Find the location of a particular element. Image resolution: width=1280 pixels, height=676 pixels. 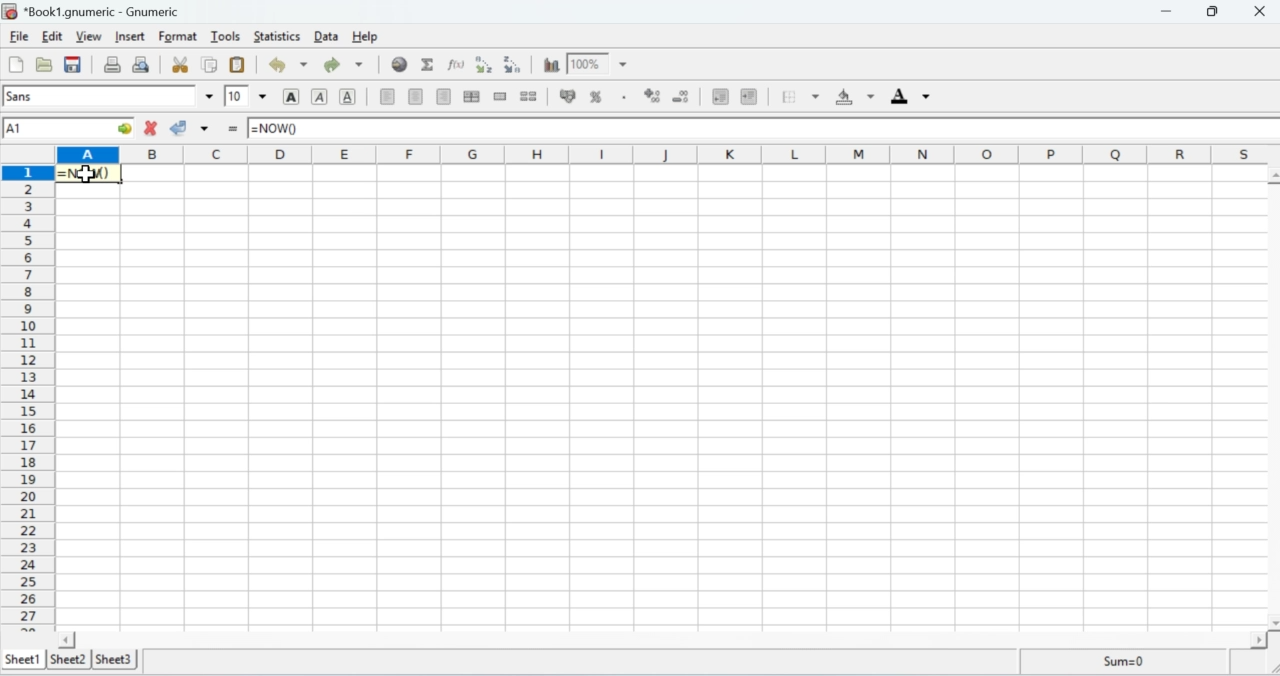

Center horizontally is located at coordinates (418, 98).